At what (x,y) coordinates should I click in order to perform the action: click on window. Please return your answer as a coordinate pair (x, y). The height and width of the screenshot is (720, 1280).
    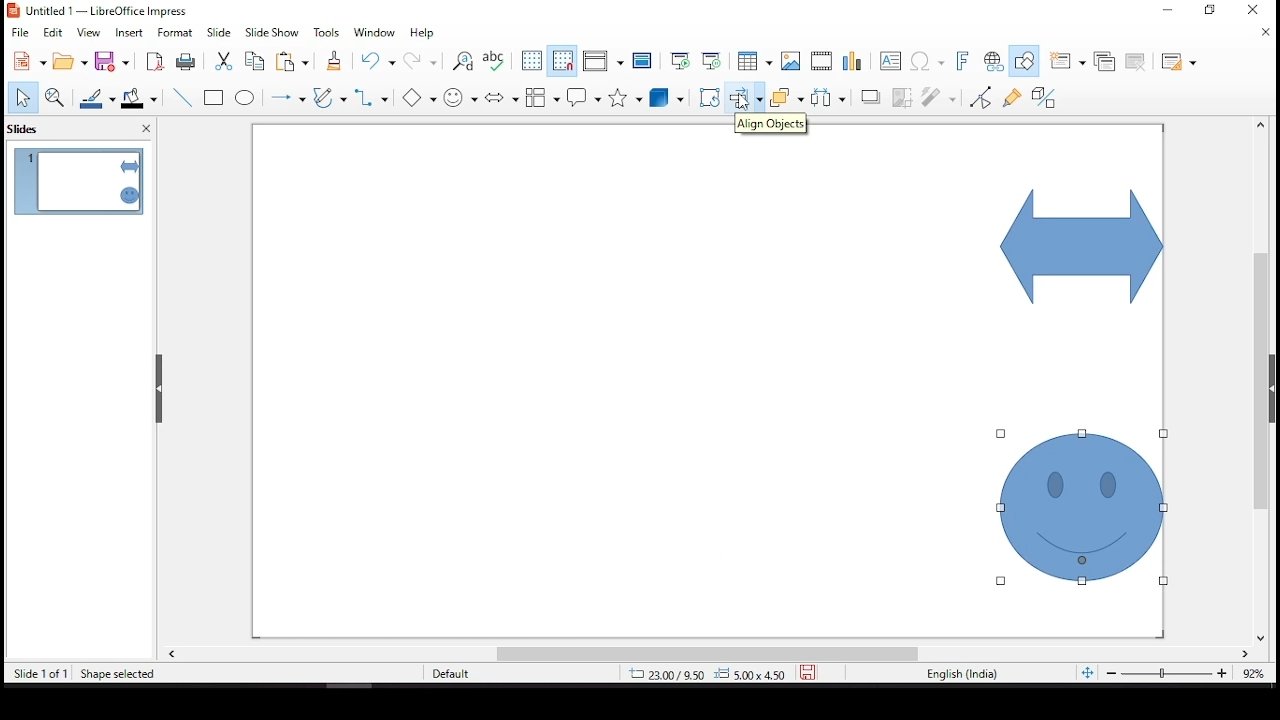
    Looking at the image, I should click on (377, 33).